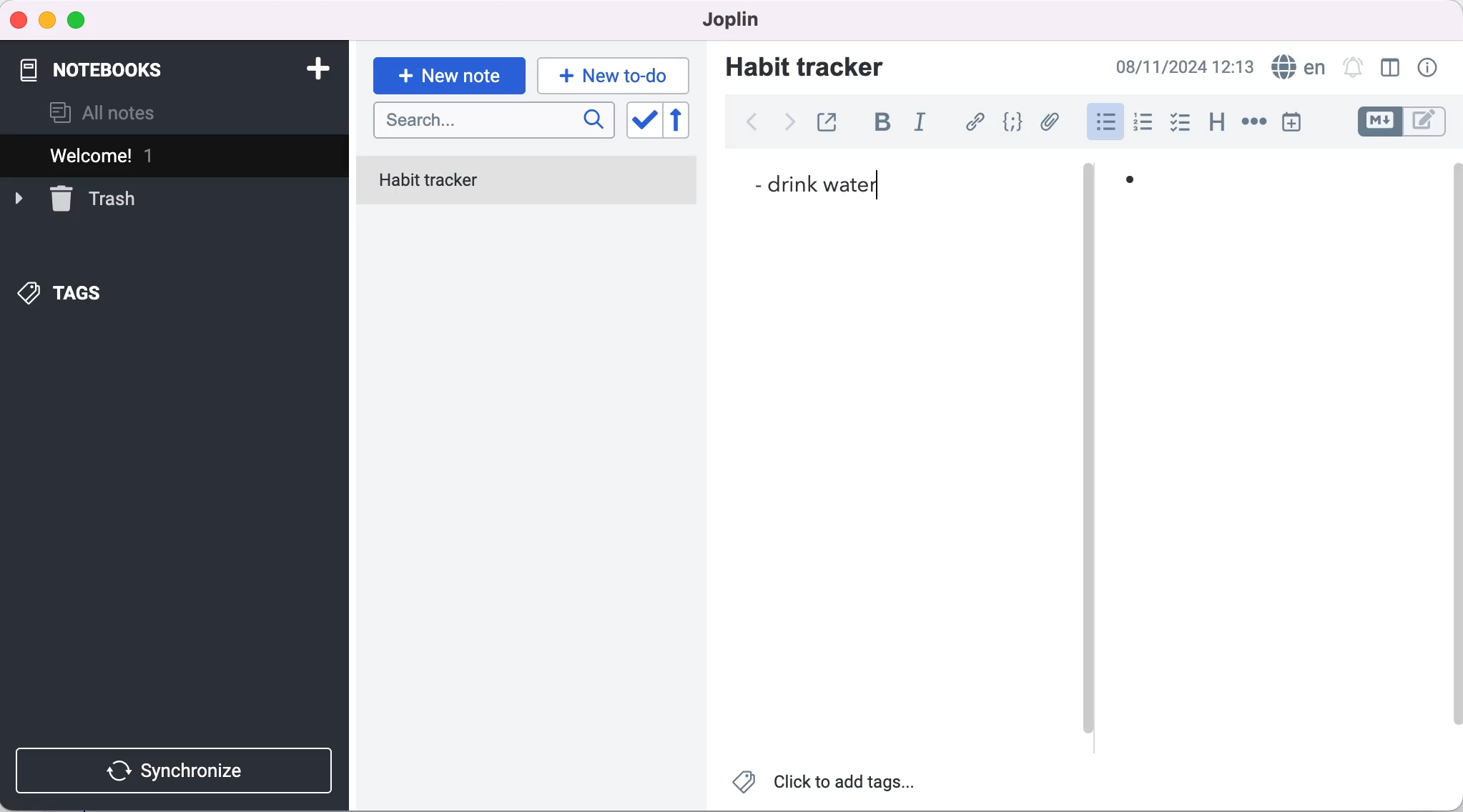 This screenshot has height=812, width=1463. Describe the element at coordinates (879, 184) in the screenshot. I see `cursor` at that location.